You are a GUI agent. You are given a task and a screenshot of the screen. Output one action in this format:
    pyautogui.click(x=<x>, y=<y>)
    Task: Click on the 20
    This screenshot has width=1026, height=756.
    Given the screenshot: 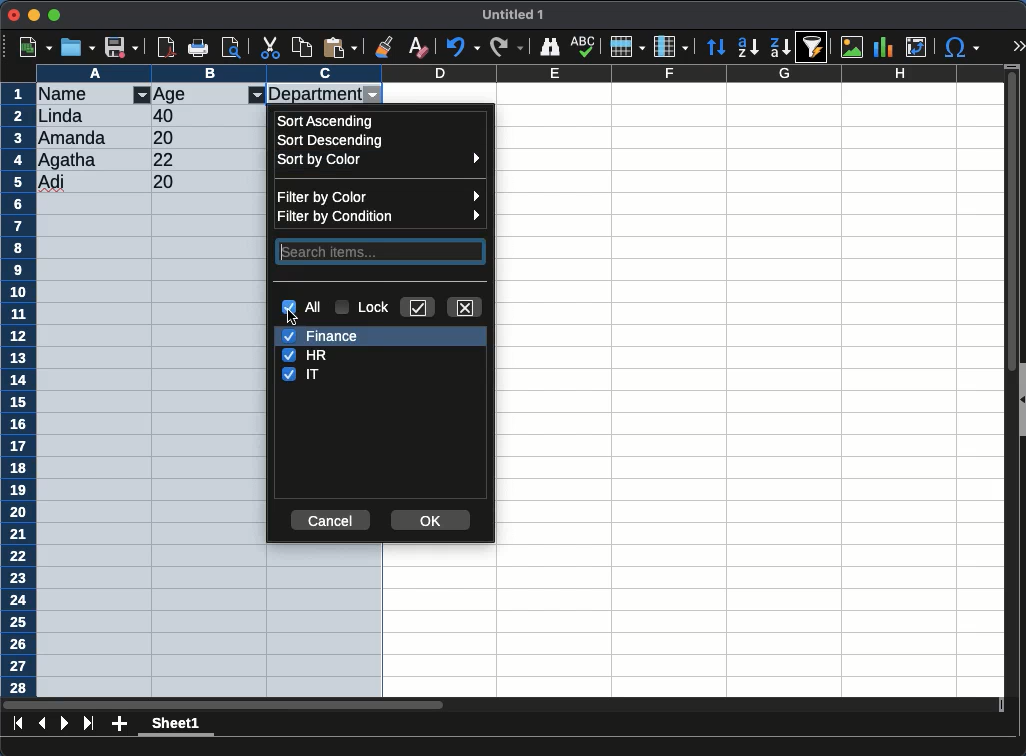 What is the action you would take?
    pyautogui.click(x=177, y=182)
    